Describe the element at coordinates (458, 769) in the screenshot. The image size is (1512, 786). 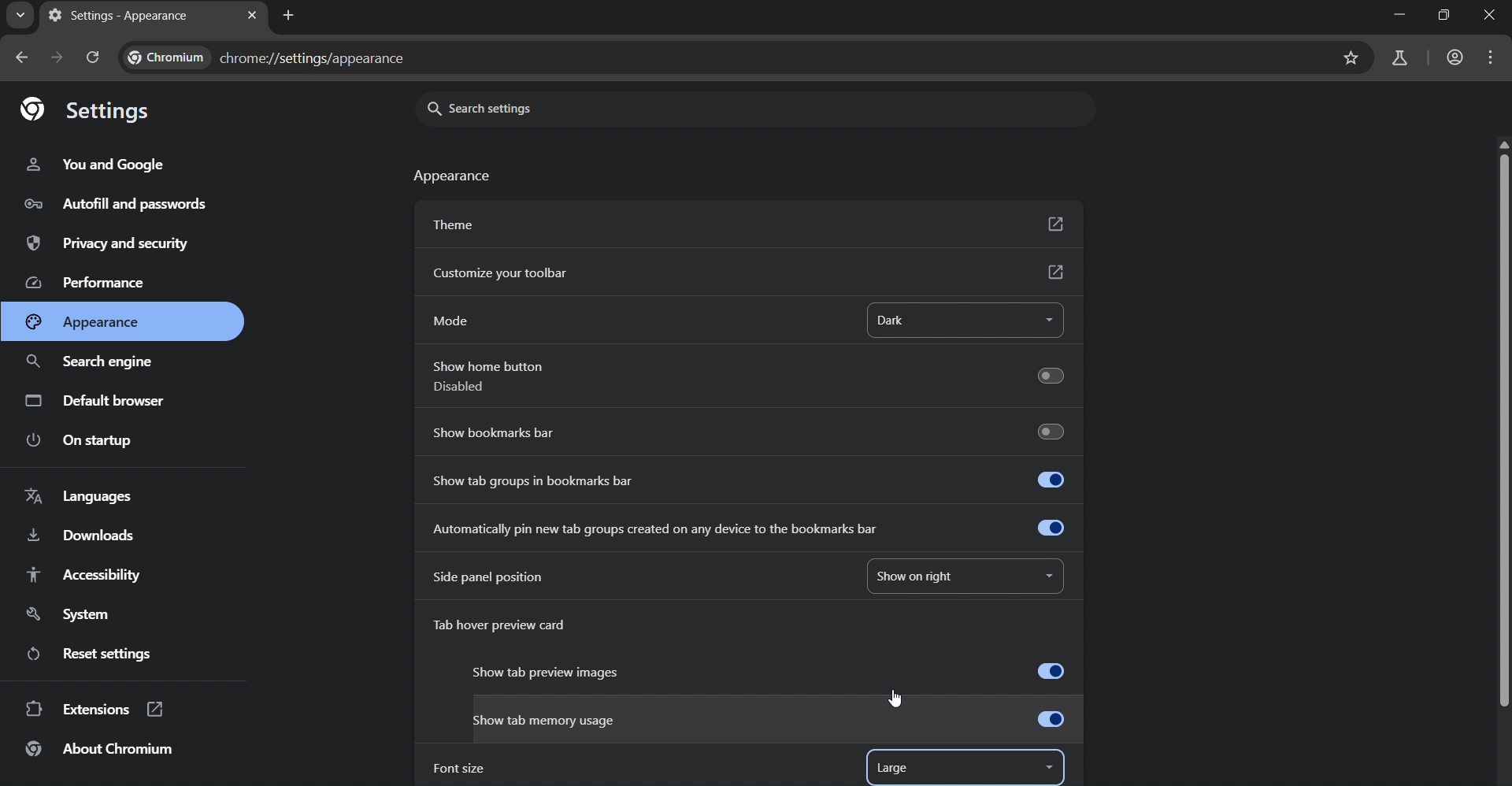
I see `font size` at that location.